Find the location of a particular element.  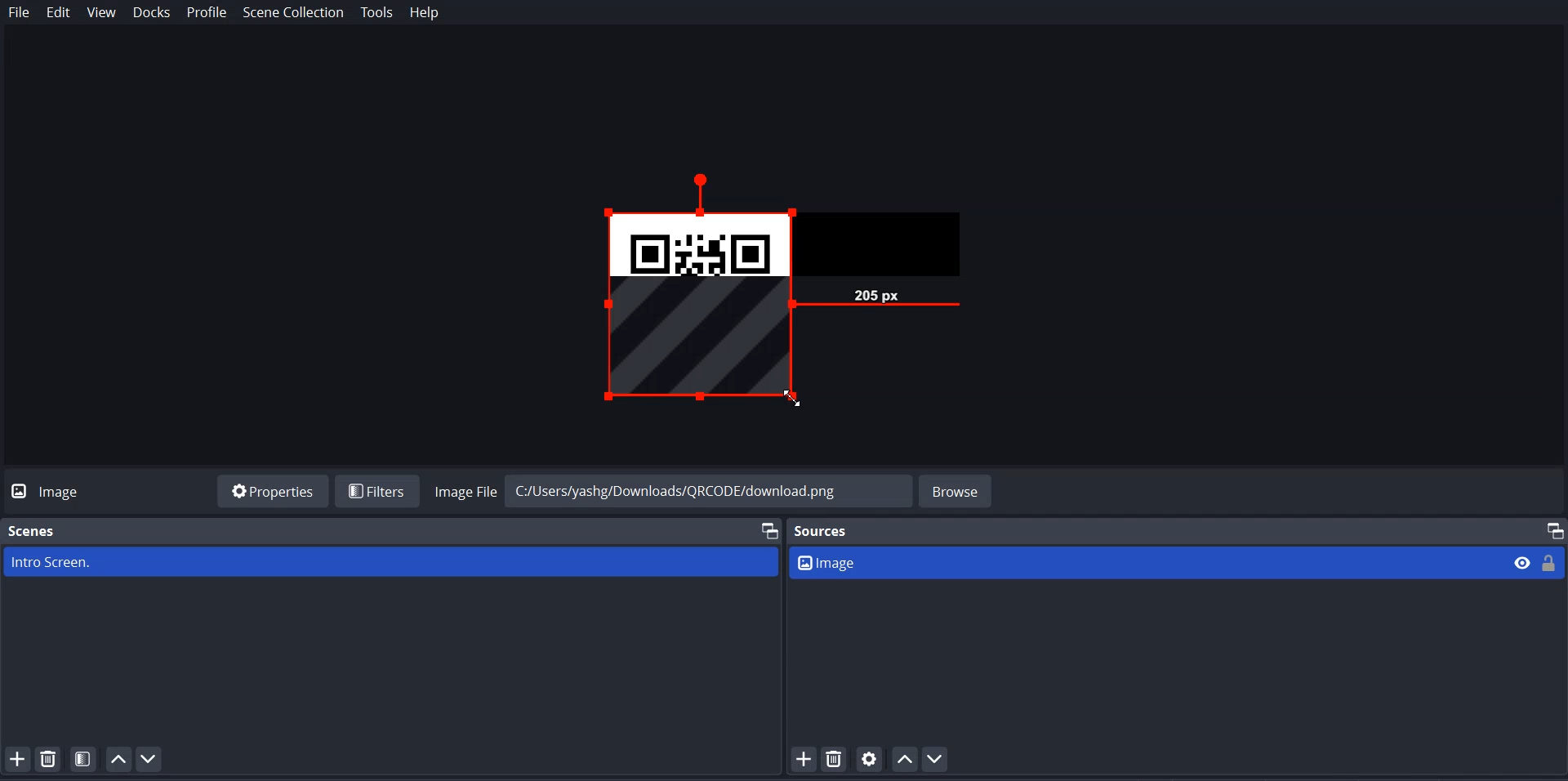

Lock is located at coordinates (1551, 561).